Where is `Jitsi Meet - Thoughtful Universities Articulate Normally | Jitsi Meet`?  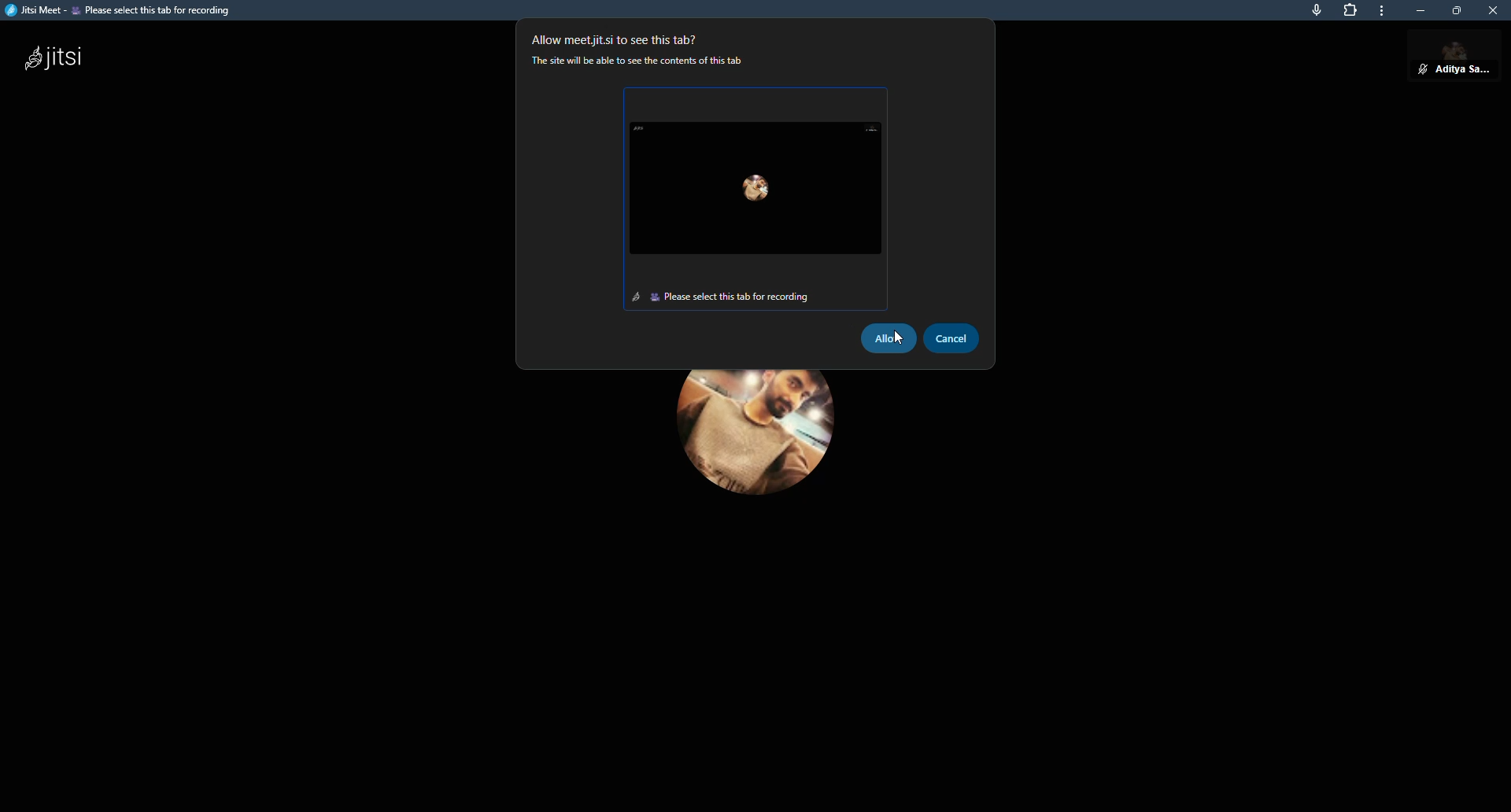
Jitsi Meet - Thoughtful Universities Articulate Normally | Jitsi Meet is located at coordinates (172, 12).